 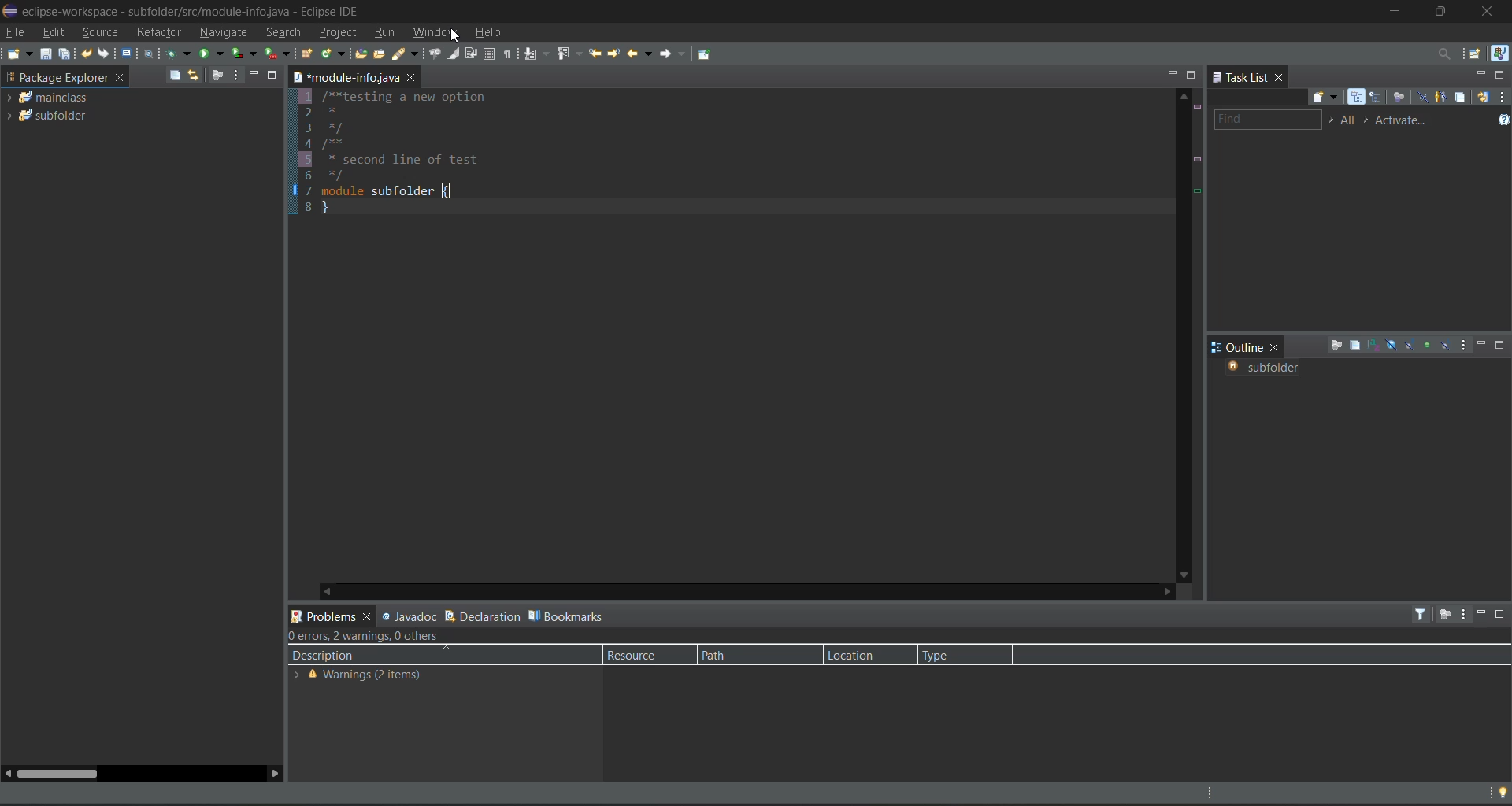 I want to click on type, so click(x=947, y=656).